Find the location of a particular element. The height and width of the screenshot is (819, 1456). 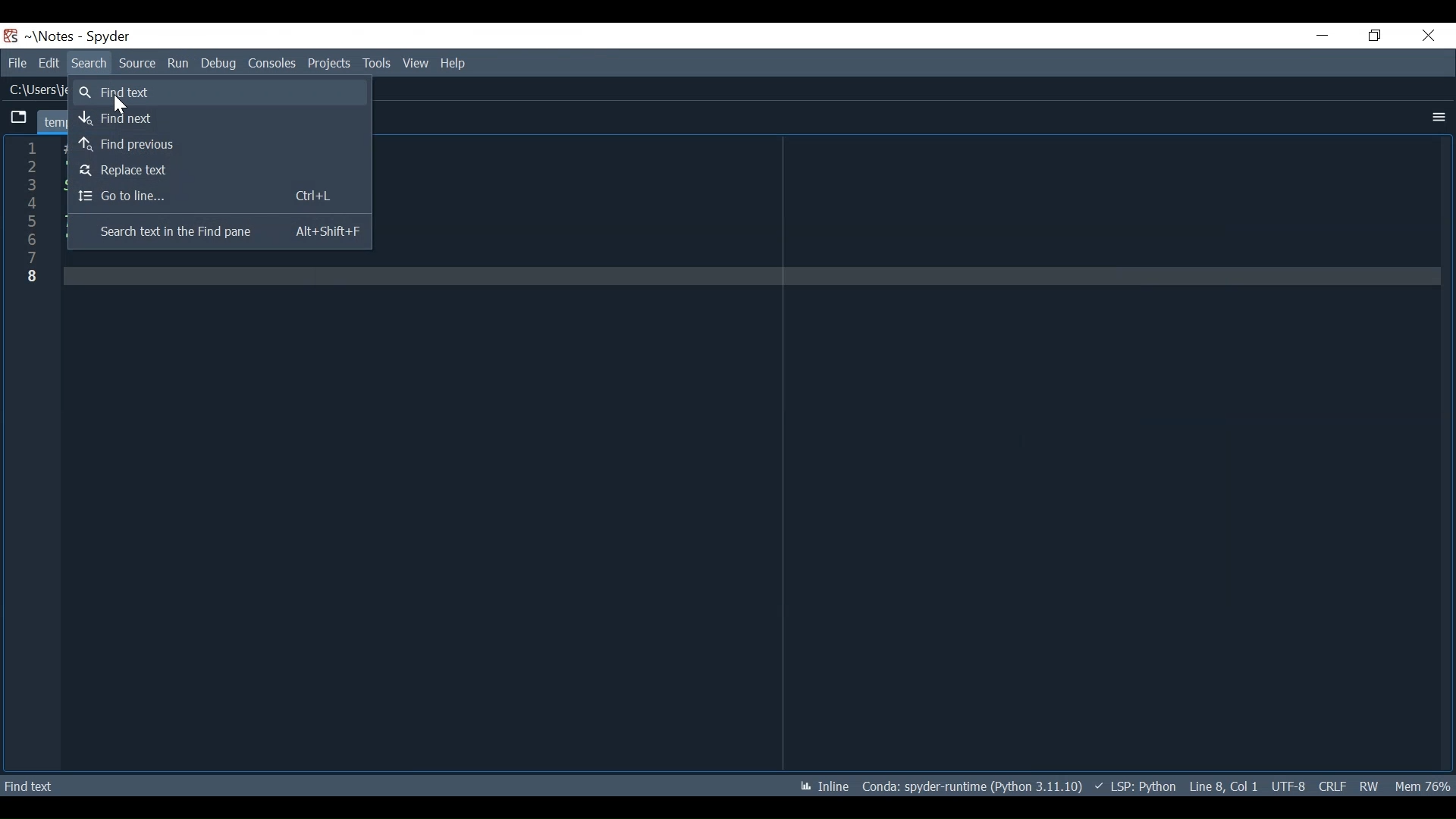

Cursor  is located at coordinates (113, 105).